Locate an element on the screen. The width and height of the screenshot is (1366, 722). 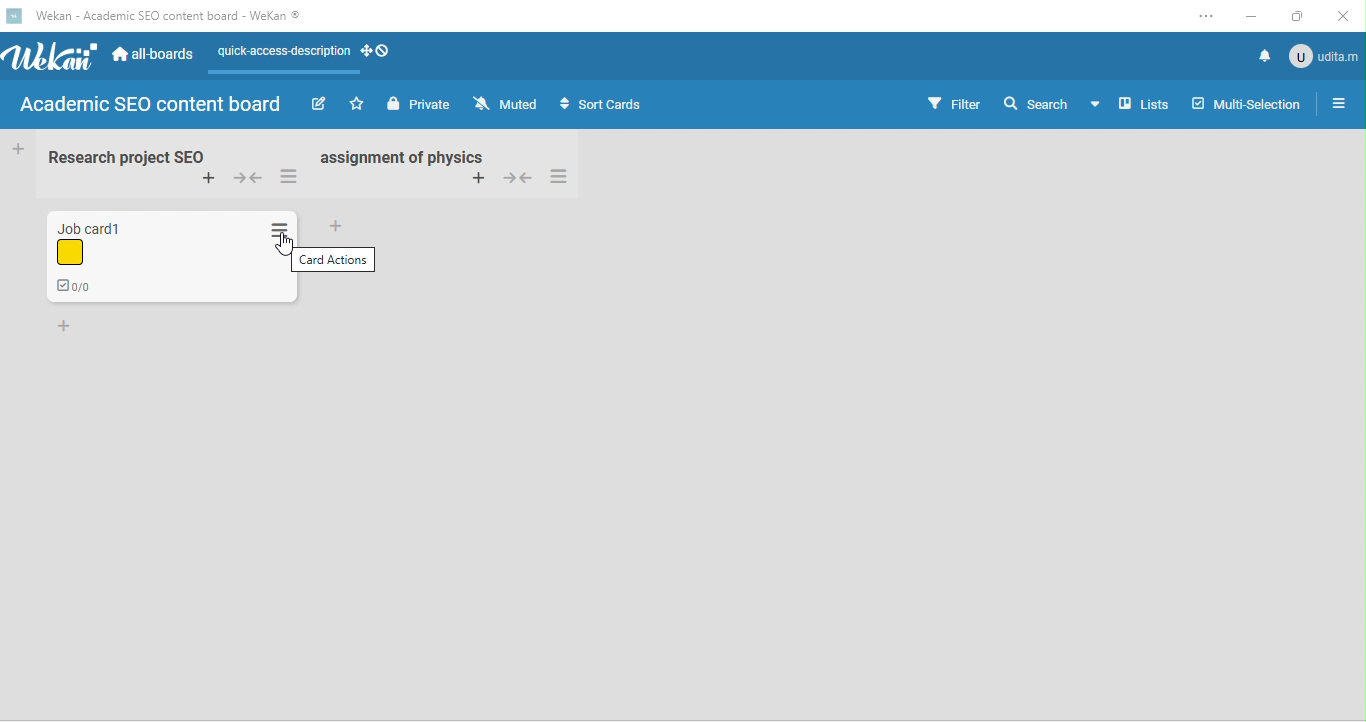
quick access description is located at coordinates (284, 52).